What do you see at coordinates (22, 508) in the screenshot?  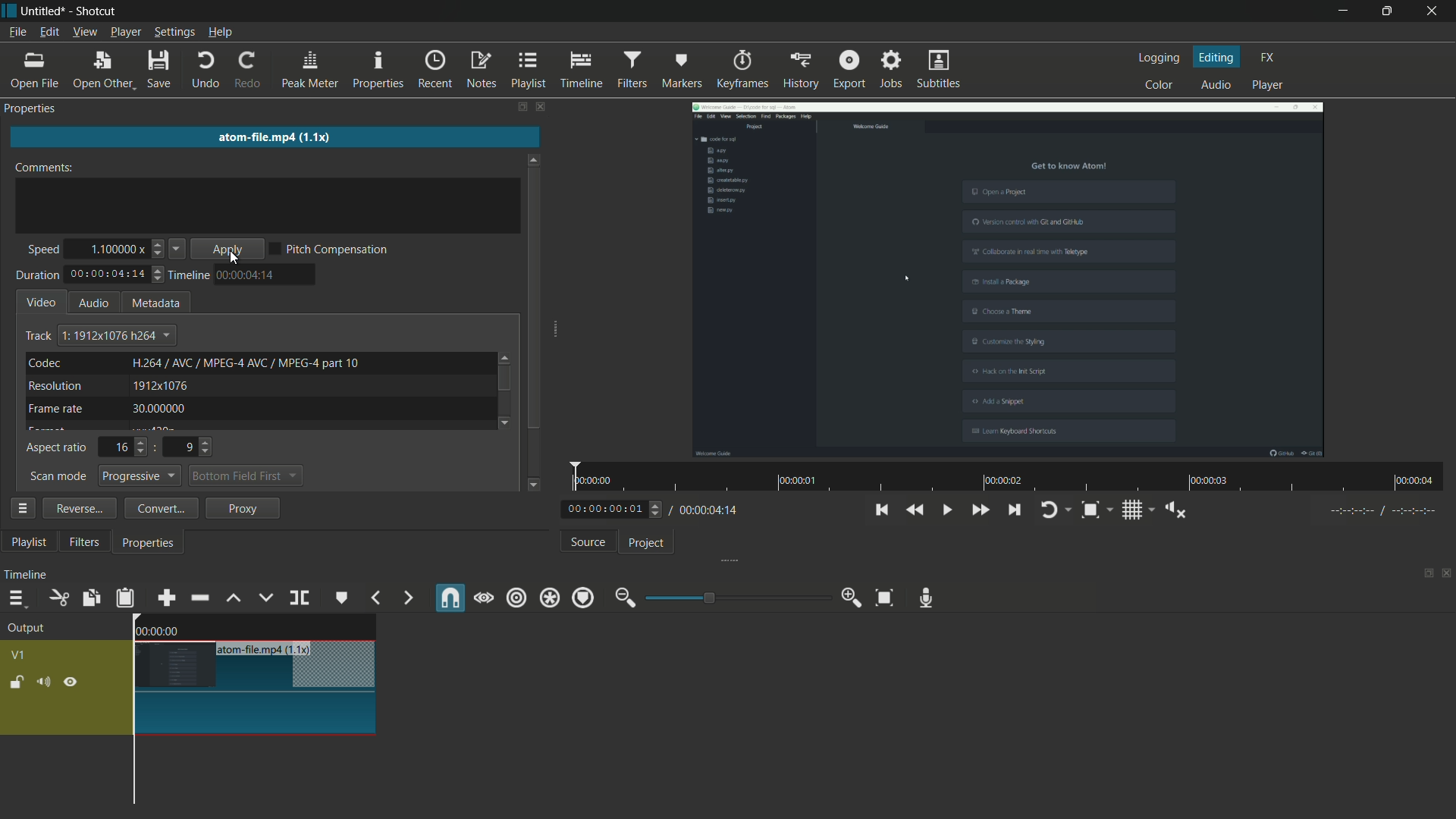 I see `more` at bounding box center [22, 508].